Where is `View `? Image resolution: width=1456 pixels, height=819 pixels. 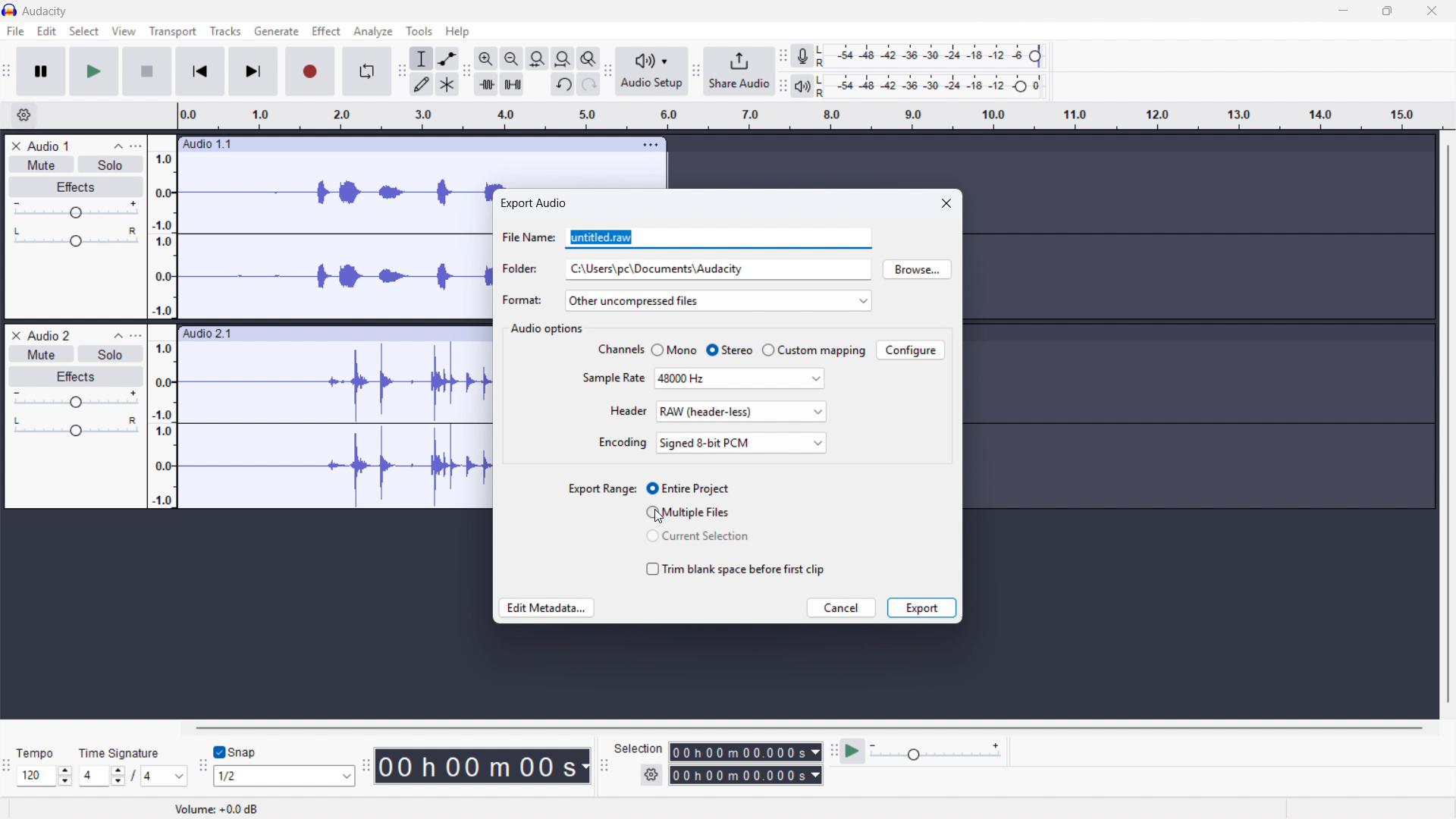 View  is located at coordinates (124, 31).